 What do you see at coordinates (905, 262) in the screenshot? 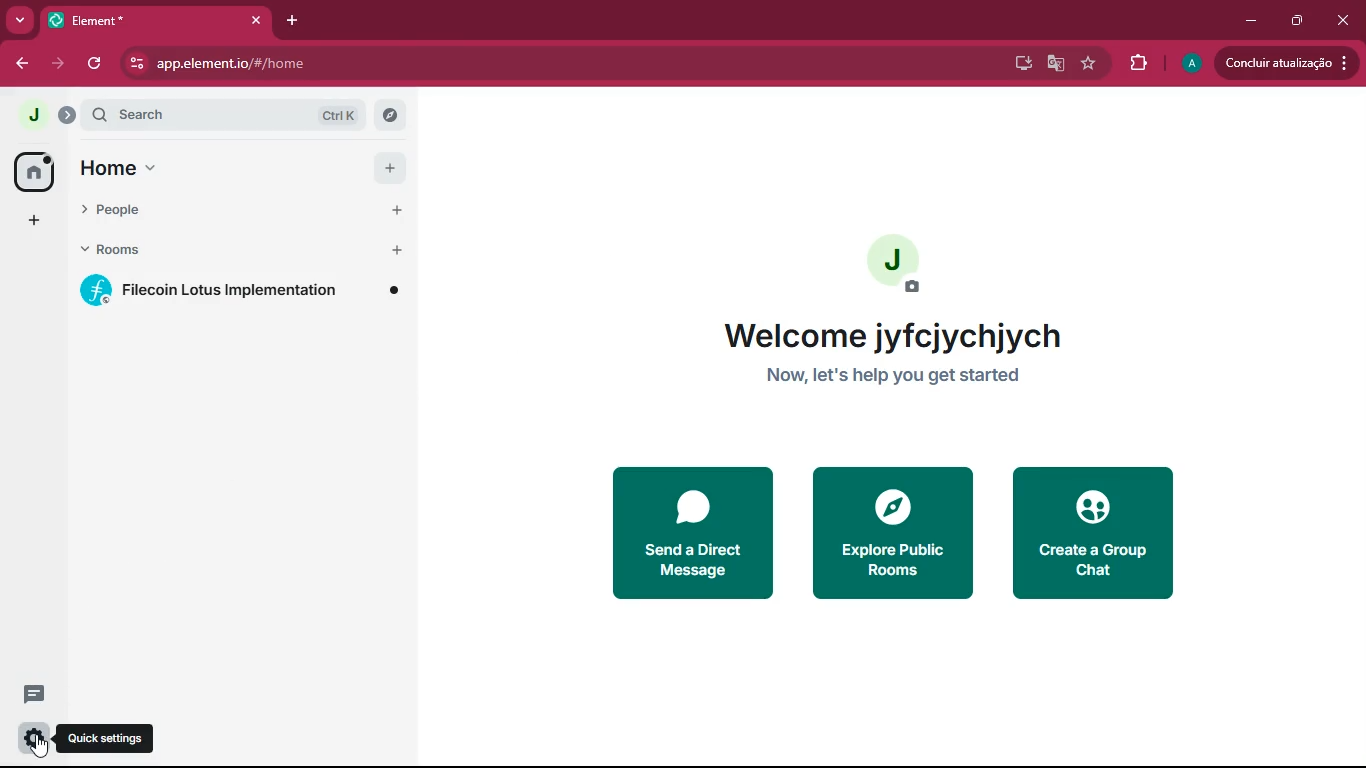
I see `profile picture` at bounding box center [905, 262].